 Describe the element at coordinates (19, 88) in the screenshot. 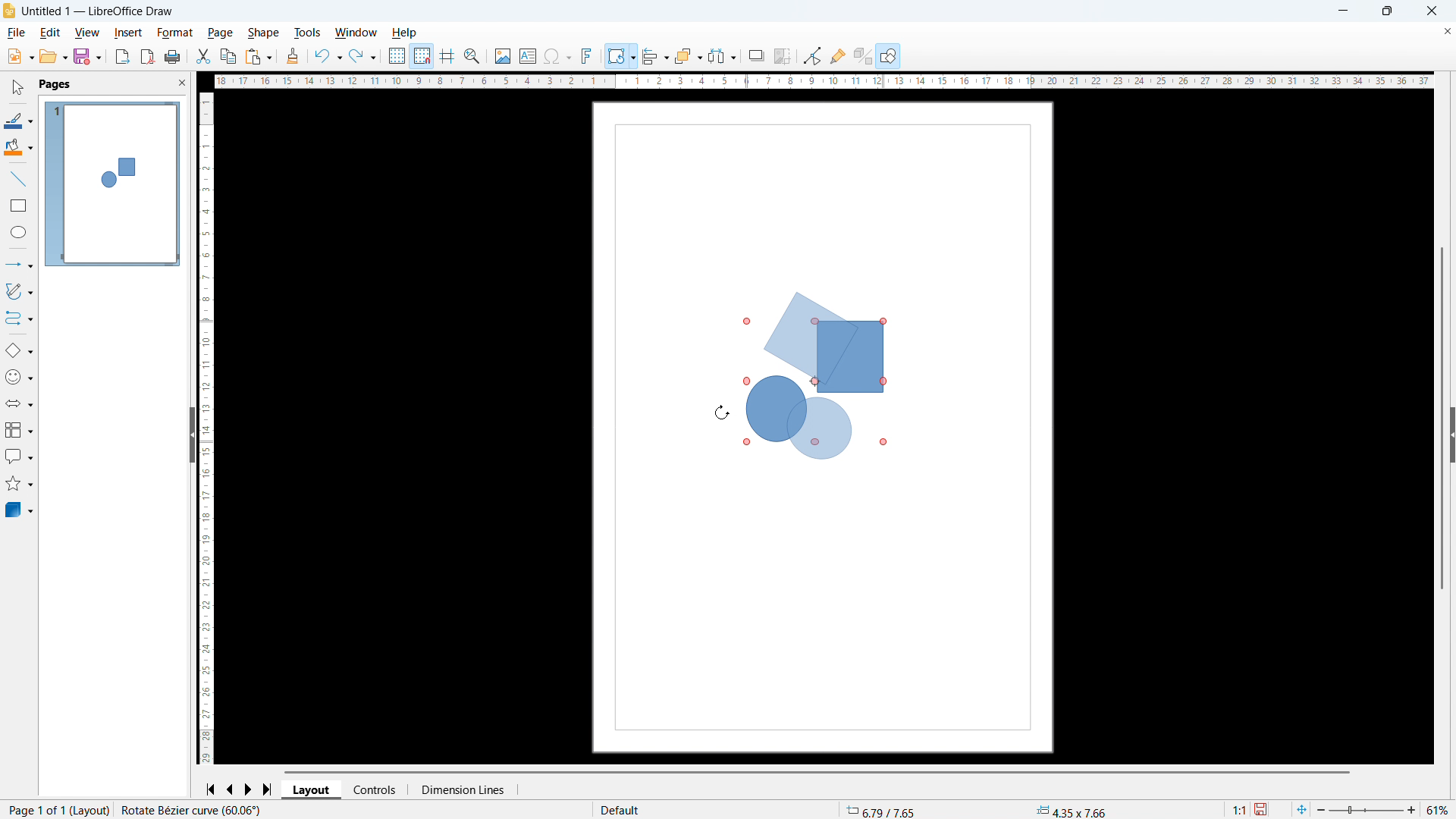

I see `select ` at that location.